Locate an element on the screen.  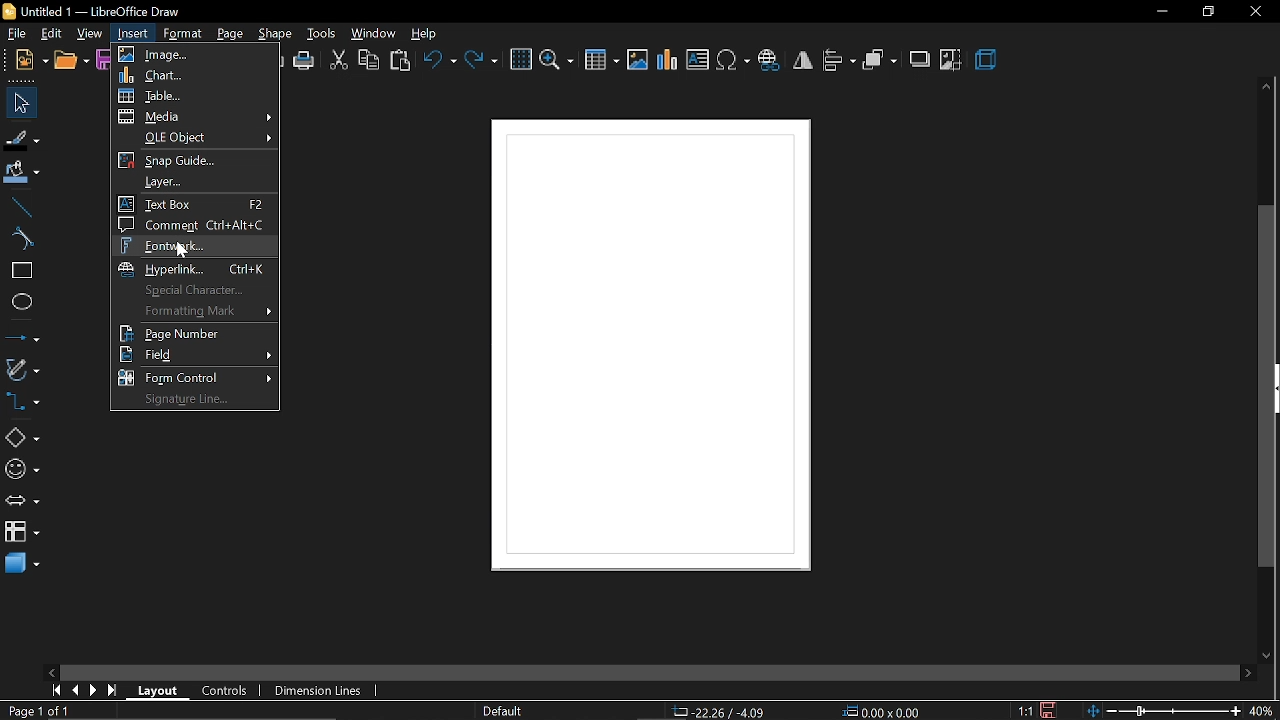
curve is located at coordinates (18, 240).